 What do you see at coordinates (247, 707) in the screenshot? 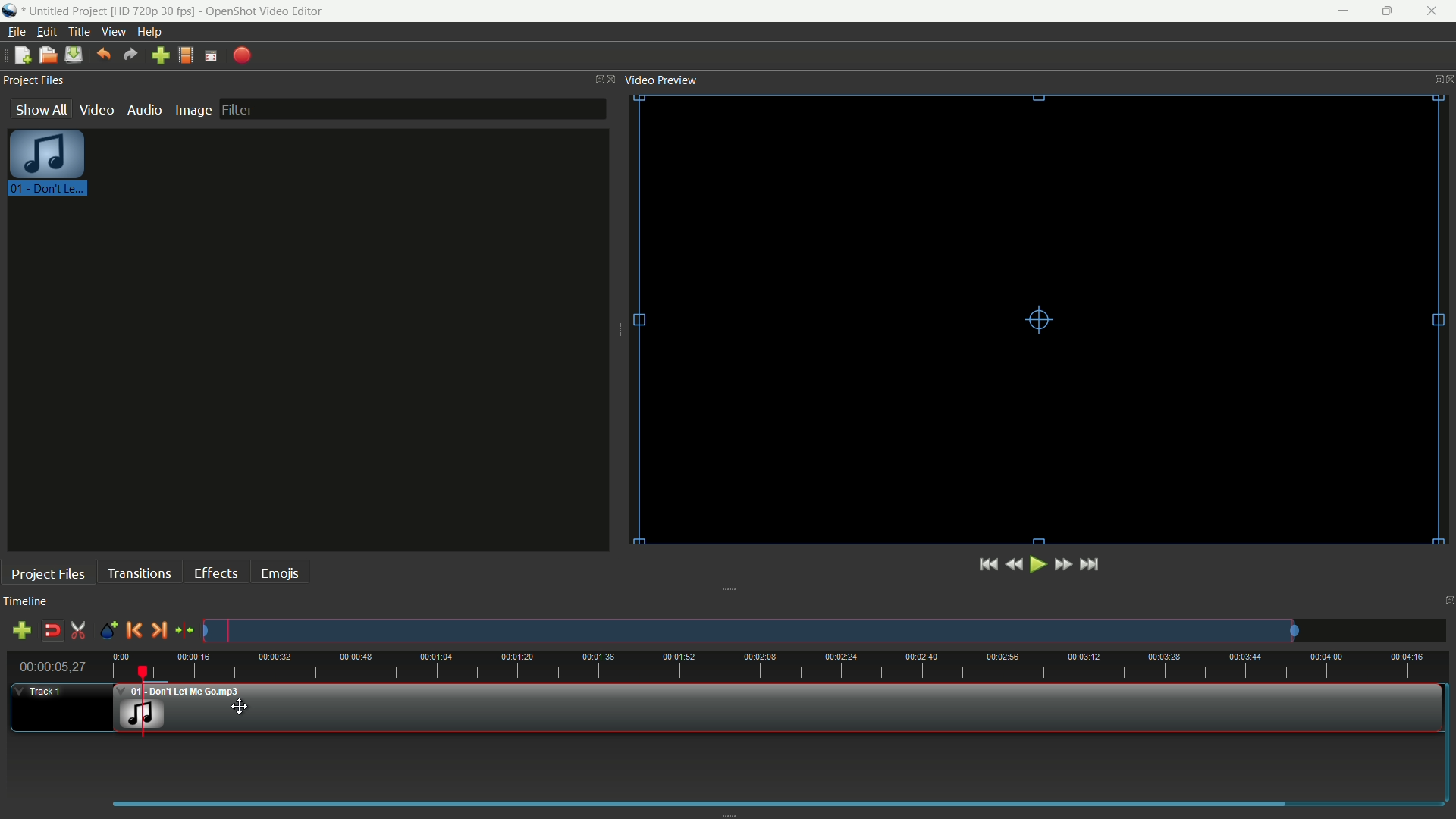
I see `Cursor` at bounding box center [247, 707].